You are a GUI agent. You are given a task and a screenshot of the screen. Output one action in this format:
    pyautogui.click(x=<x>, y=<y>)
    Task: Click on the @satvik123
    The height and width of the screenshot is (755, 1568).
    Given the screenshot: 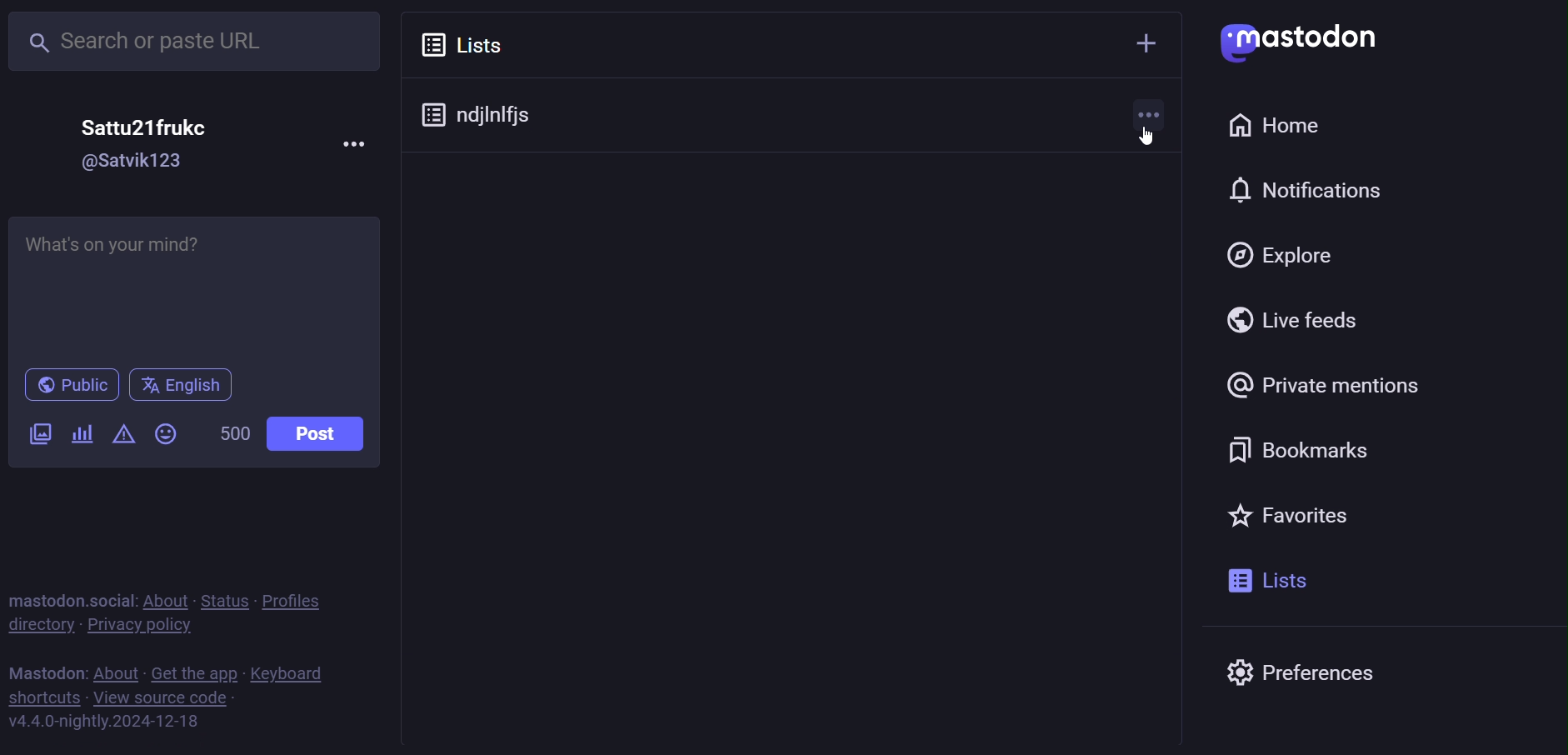 What is the action you would take?
    pyautogui.click(x=139, y=161)
    